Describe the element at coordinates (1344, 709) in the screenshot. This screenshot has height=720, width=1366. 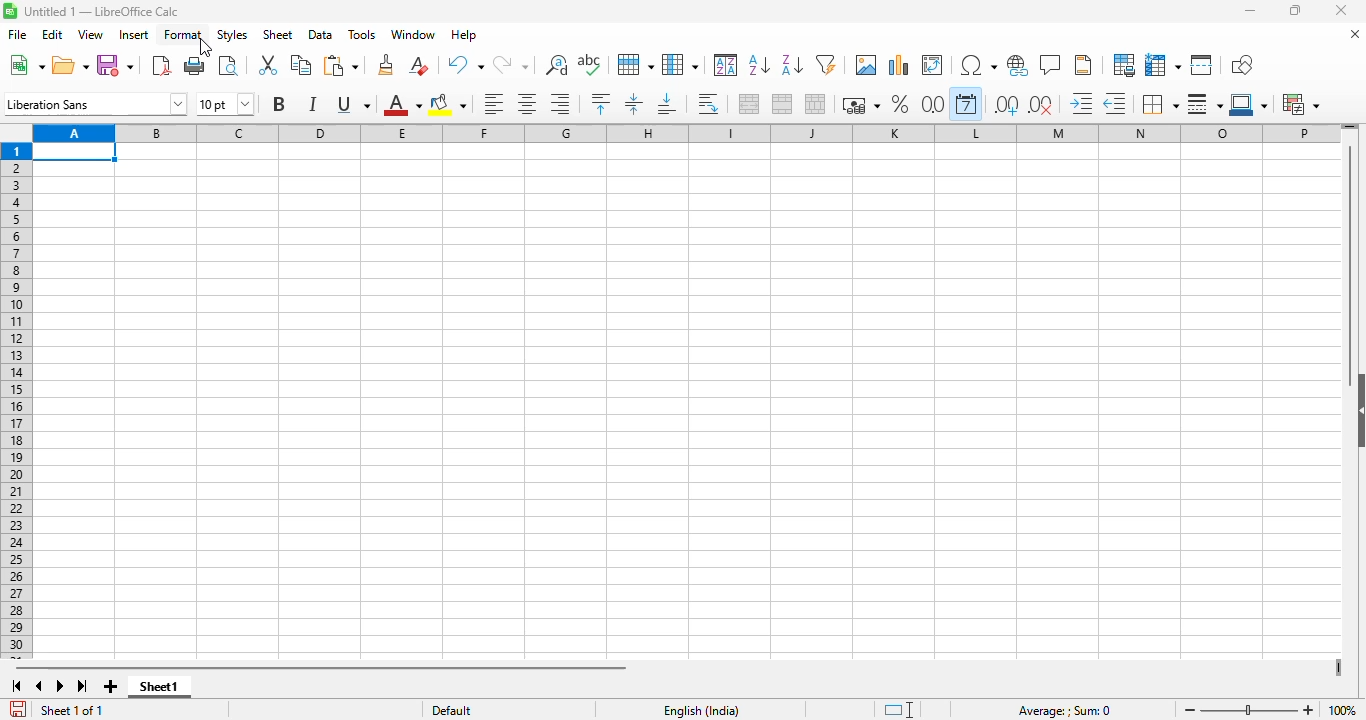
I see `zoom factor` at that location.